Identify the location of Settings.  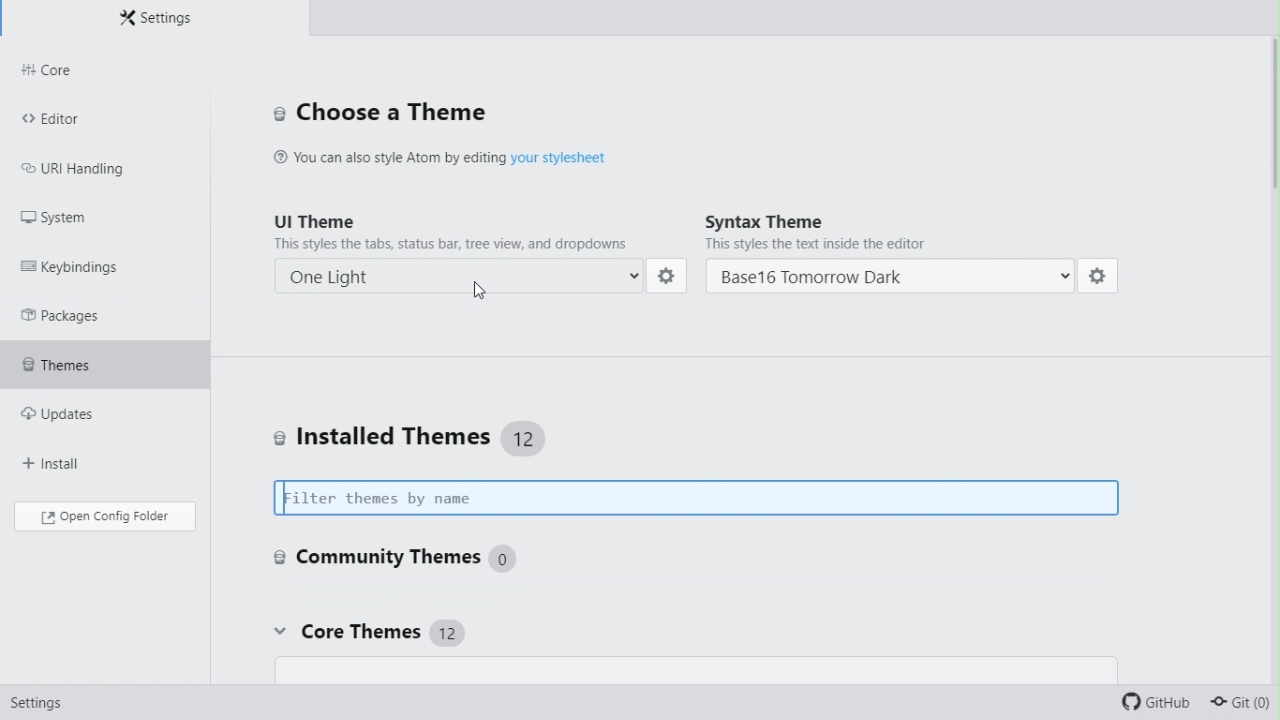
(154, 18).